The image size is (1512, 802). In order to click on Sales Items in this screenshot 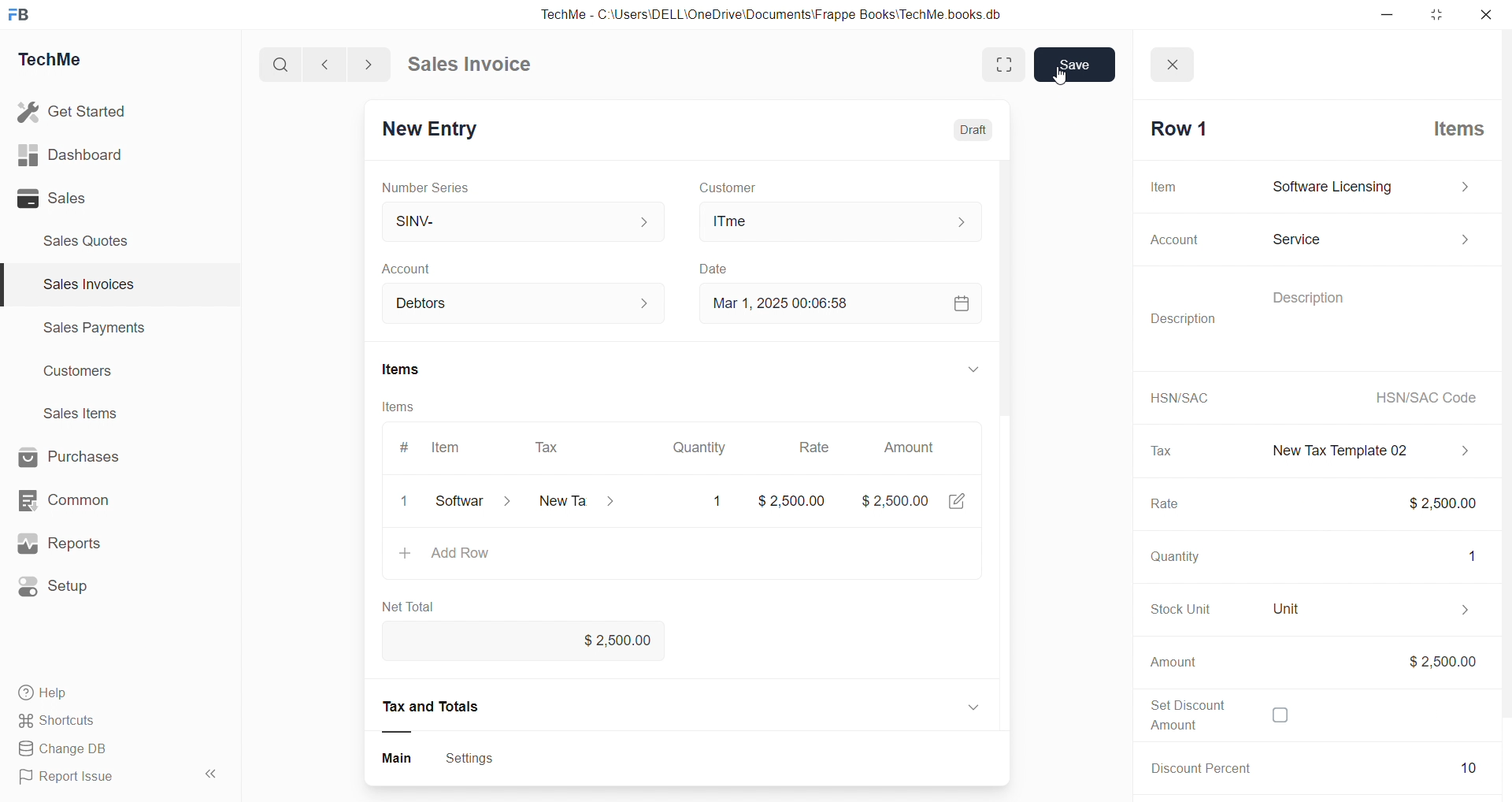, I will do `click(87, 415)`.